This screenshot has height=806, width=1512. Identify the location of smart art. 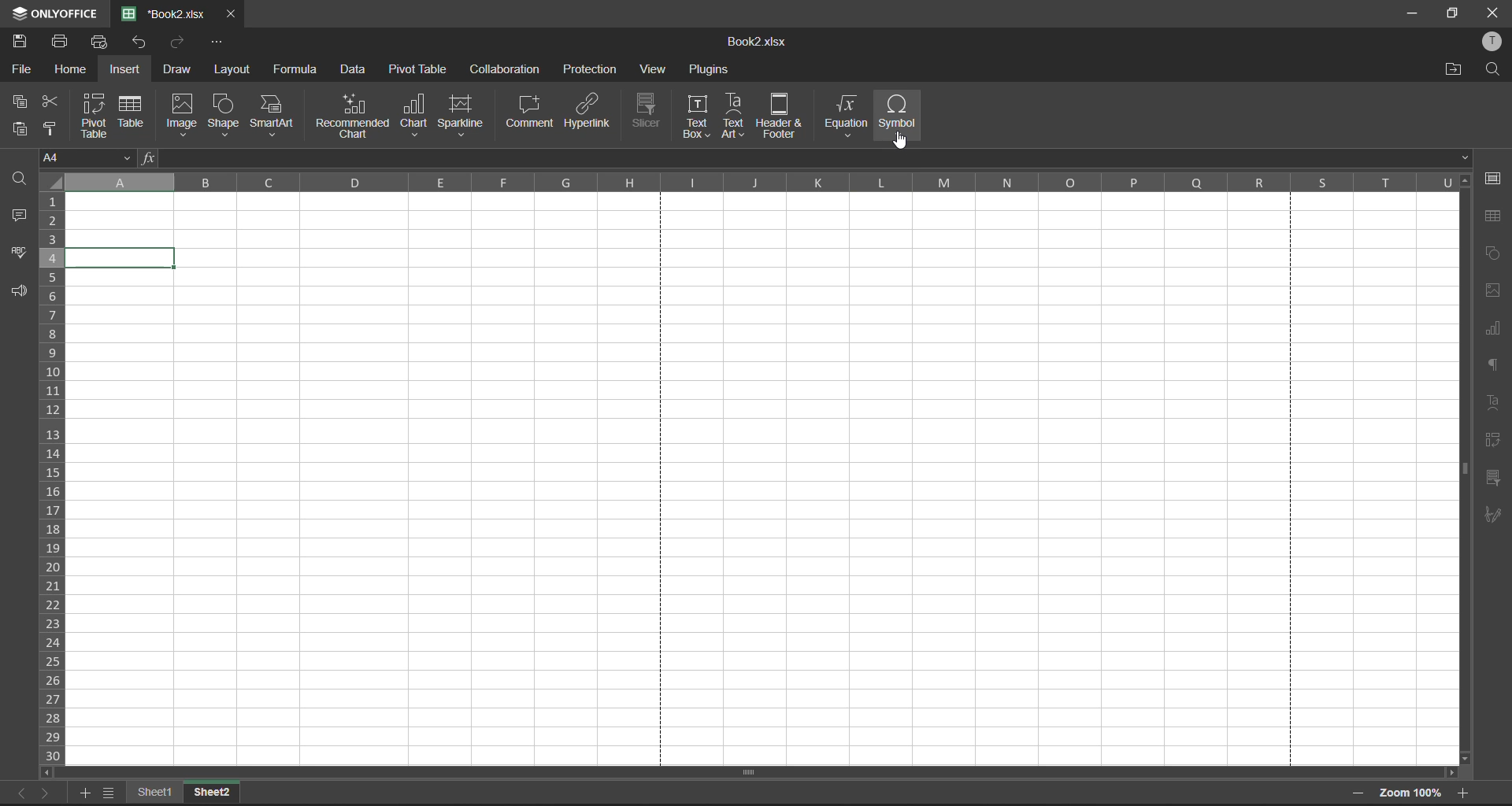
(276, 116).